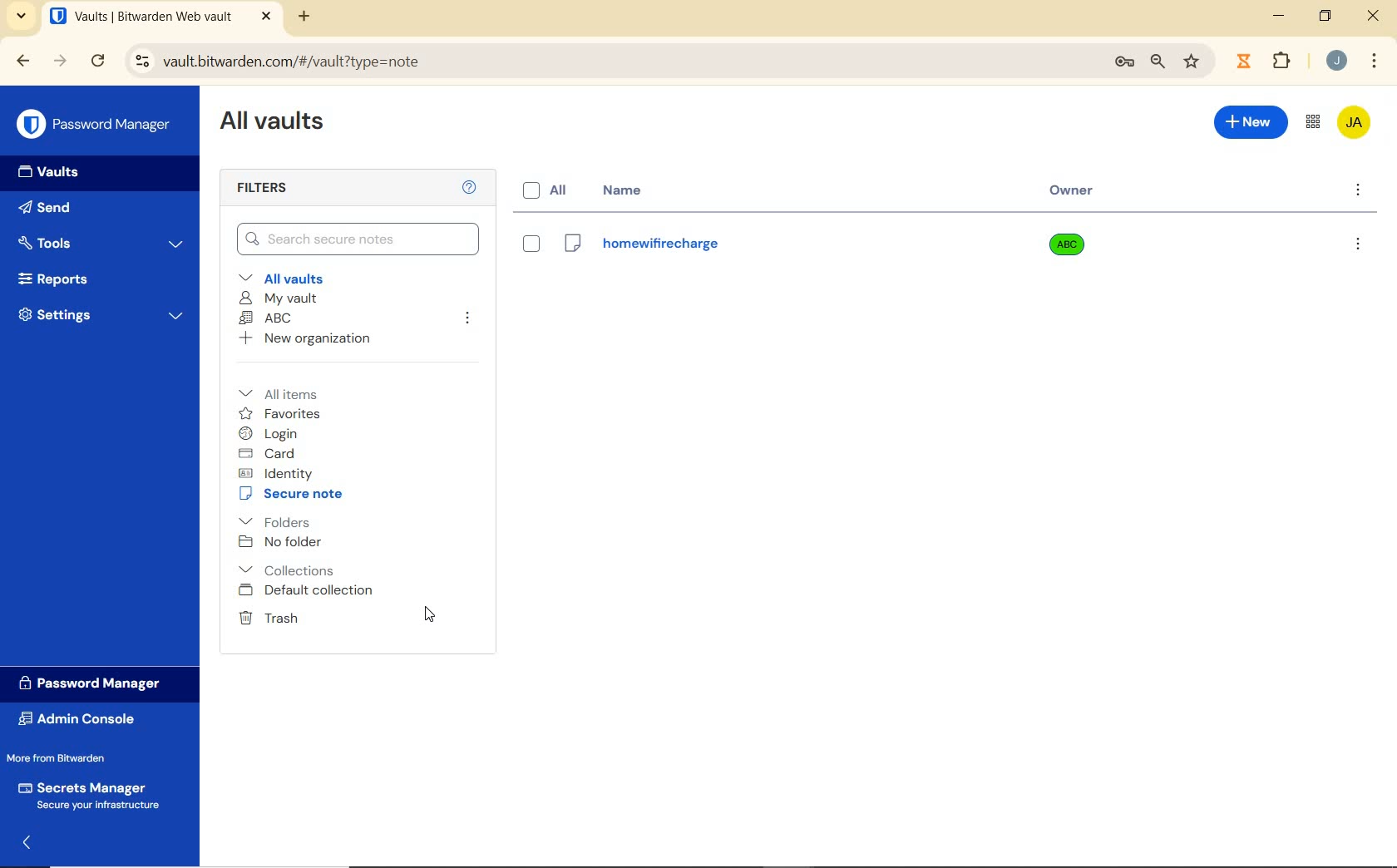  Describe the element at coordinates (268, 618) in the screenshot. I see `Trash` at that location.